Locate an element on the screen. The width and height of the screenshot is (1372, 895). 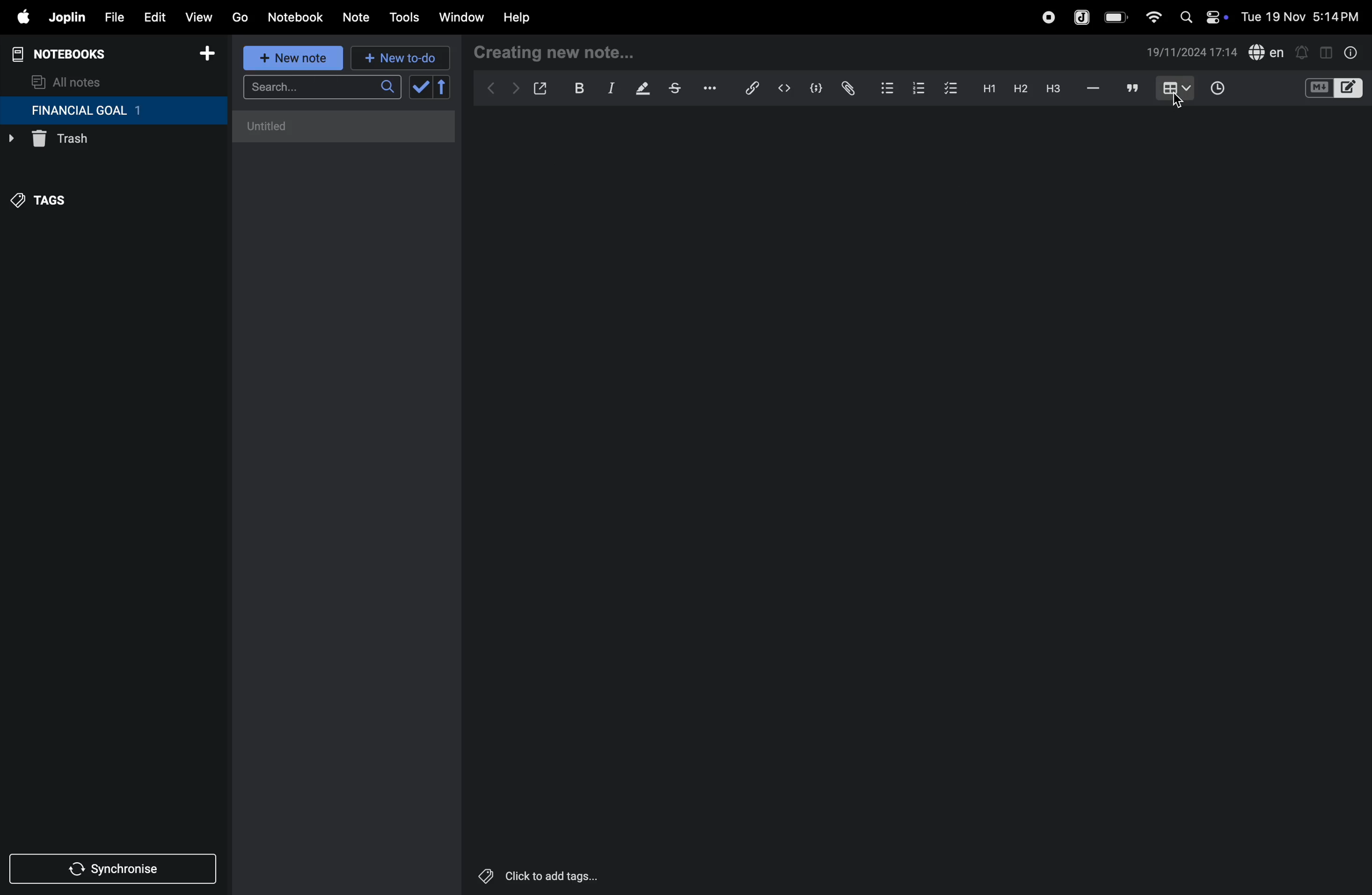
bold is located at coordinates (573, 88).